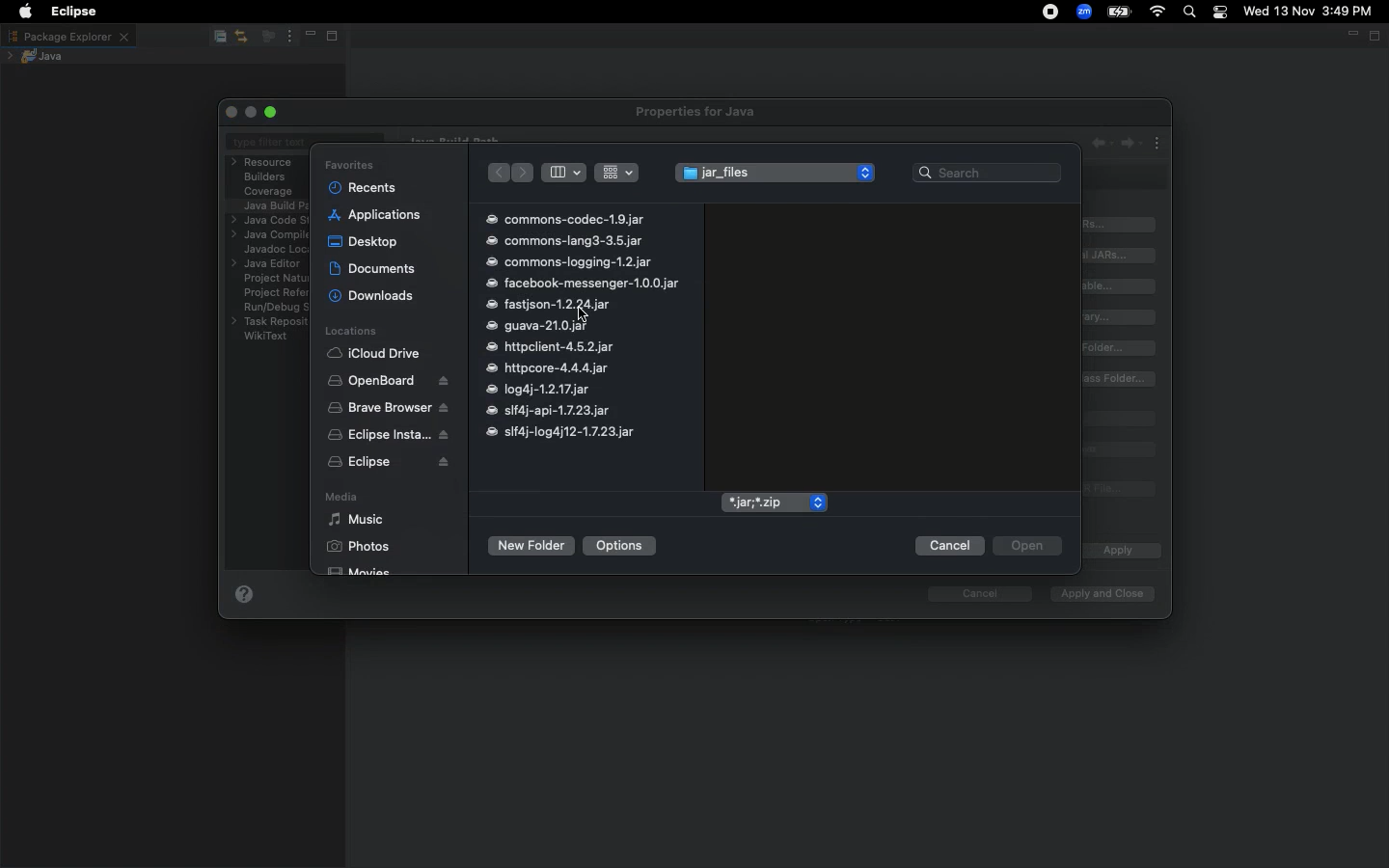  Describe the element at coordinates (266, 38) in the screenshot. I see `Focus on active task` at that location.